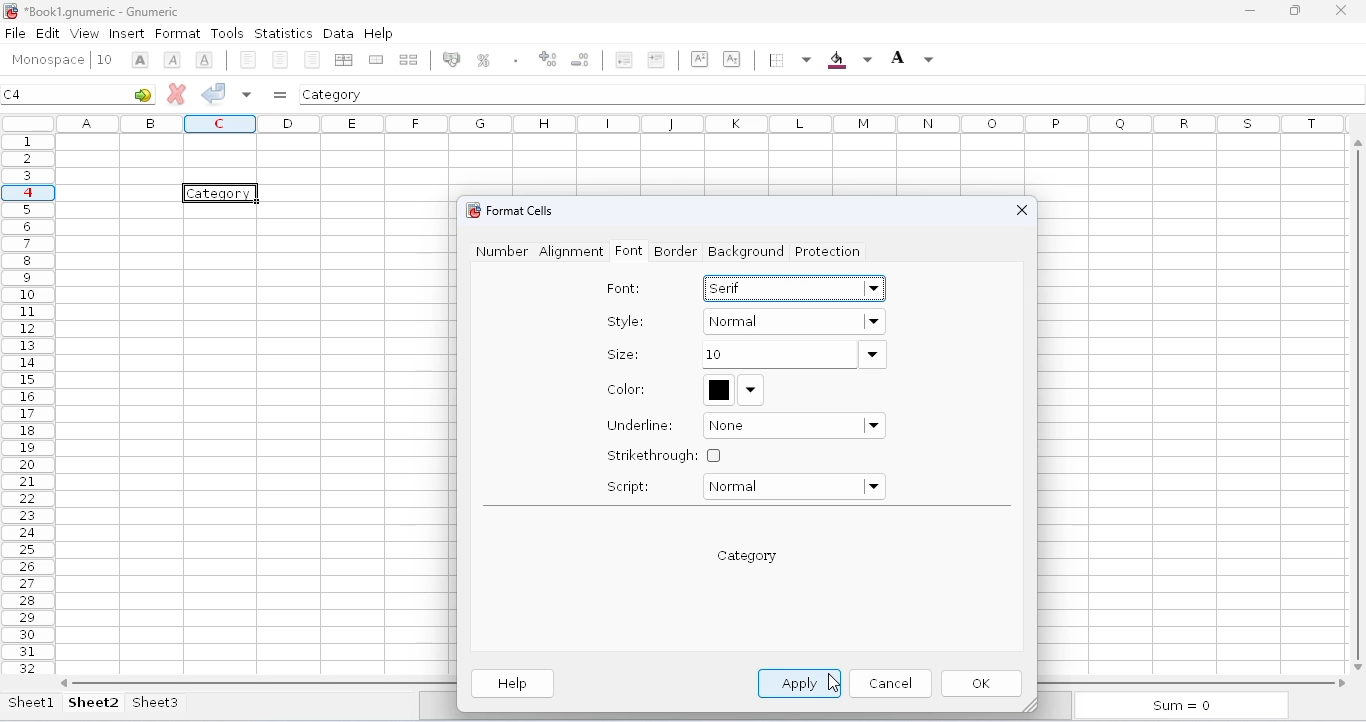 Image resolution: width=1366 pixels, height=722 pixels. I want to click on apply, so click(801, 683).